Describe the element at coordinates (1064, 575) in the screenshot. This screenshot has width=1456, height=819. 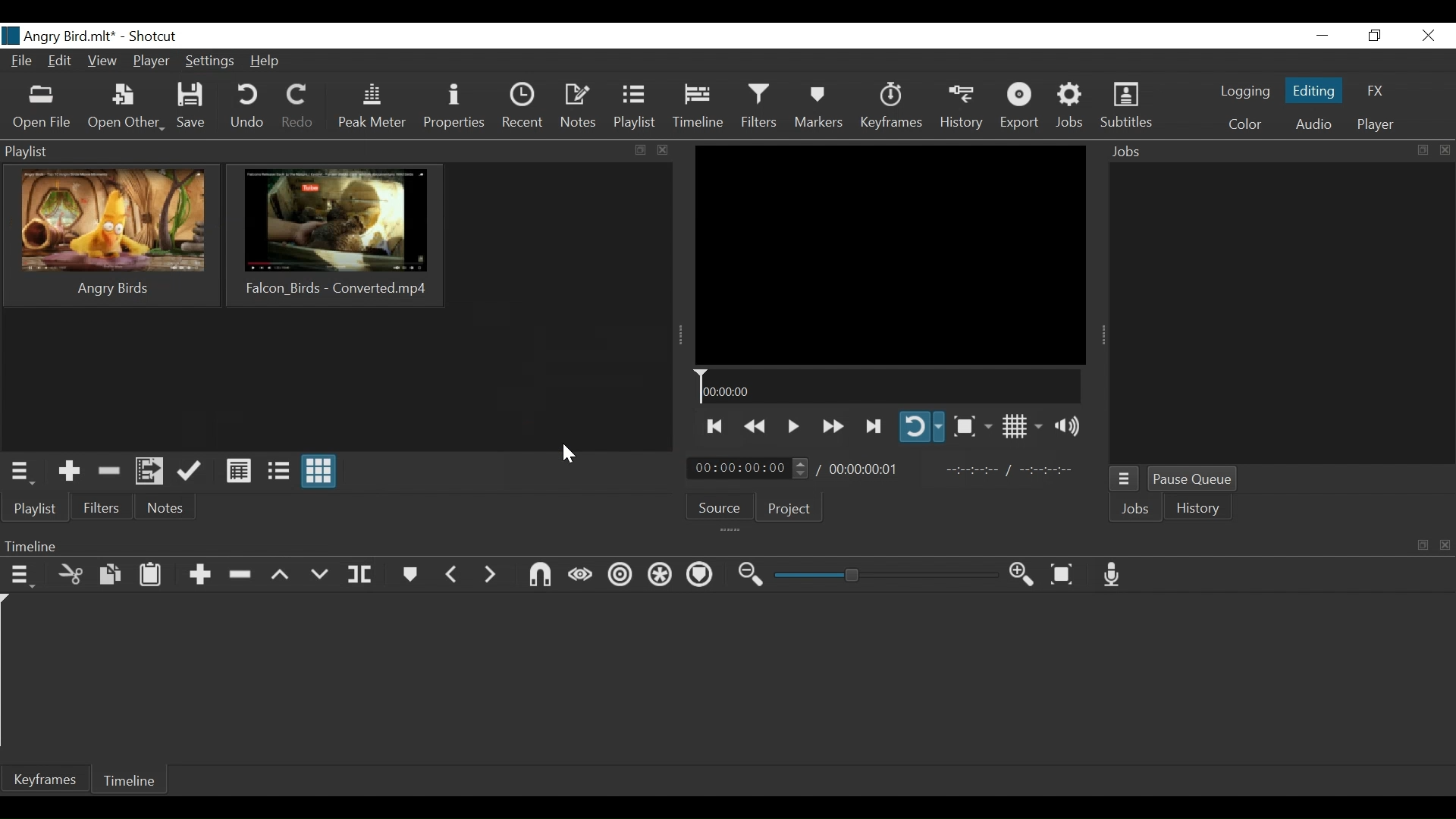
I see `Zoom timeline to fit` at that location.